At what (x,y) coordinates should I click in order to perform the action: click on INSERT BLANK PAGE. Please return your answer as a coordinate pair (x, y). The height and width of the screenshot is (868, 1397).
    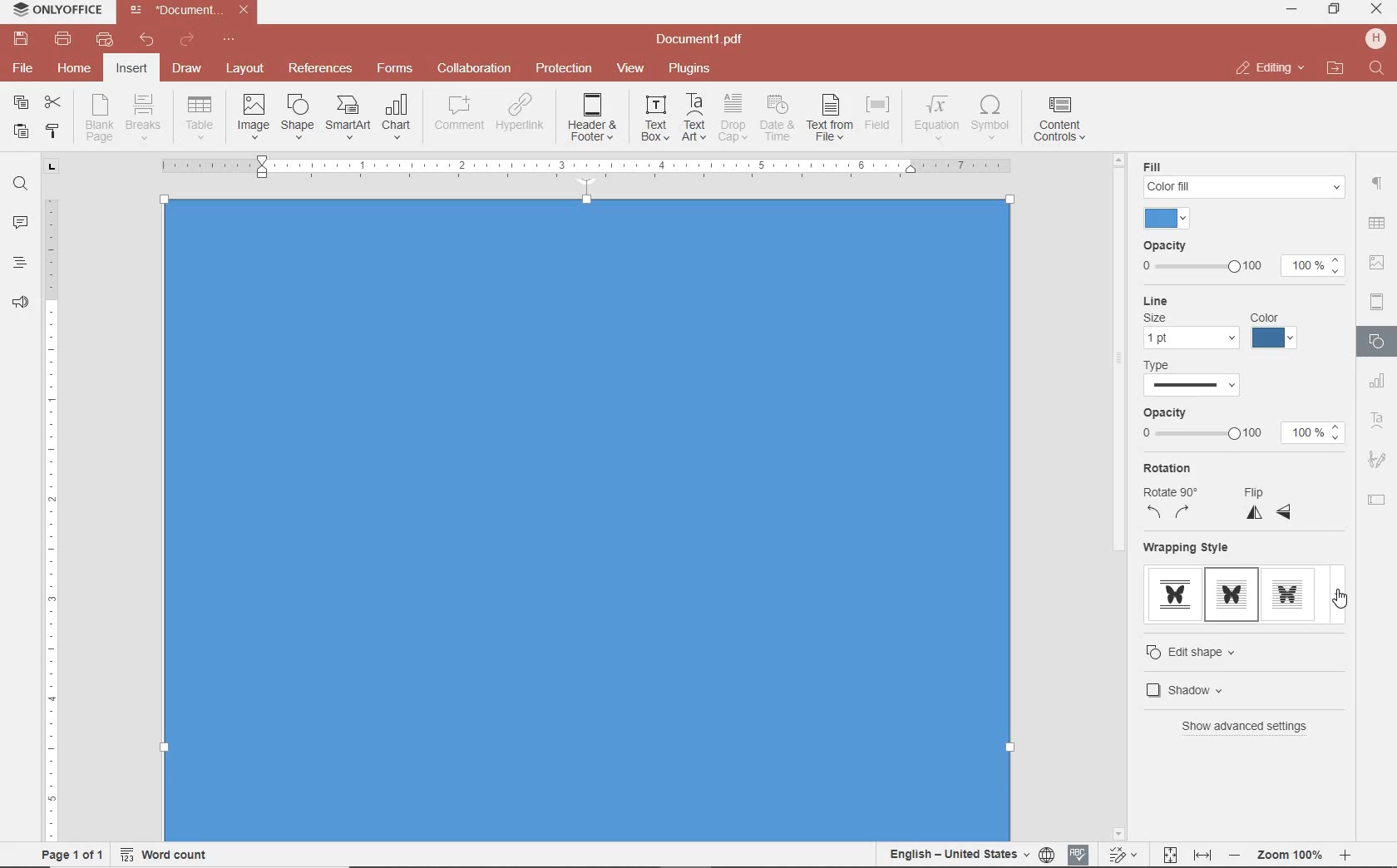
    Looking at the image, I should click on (99, 117).